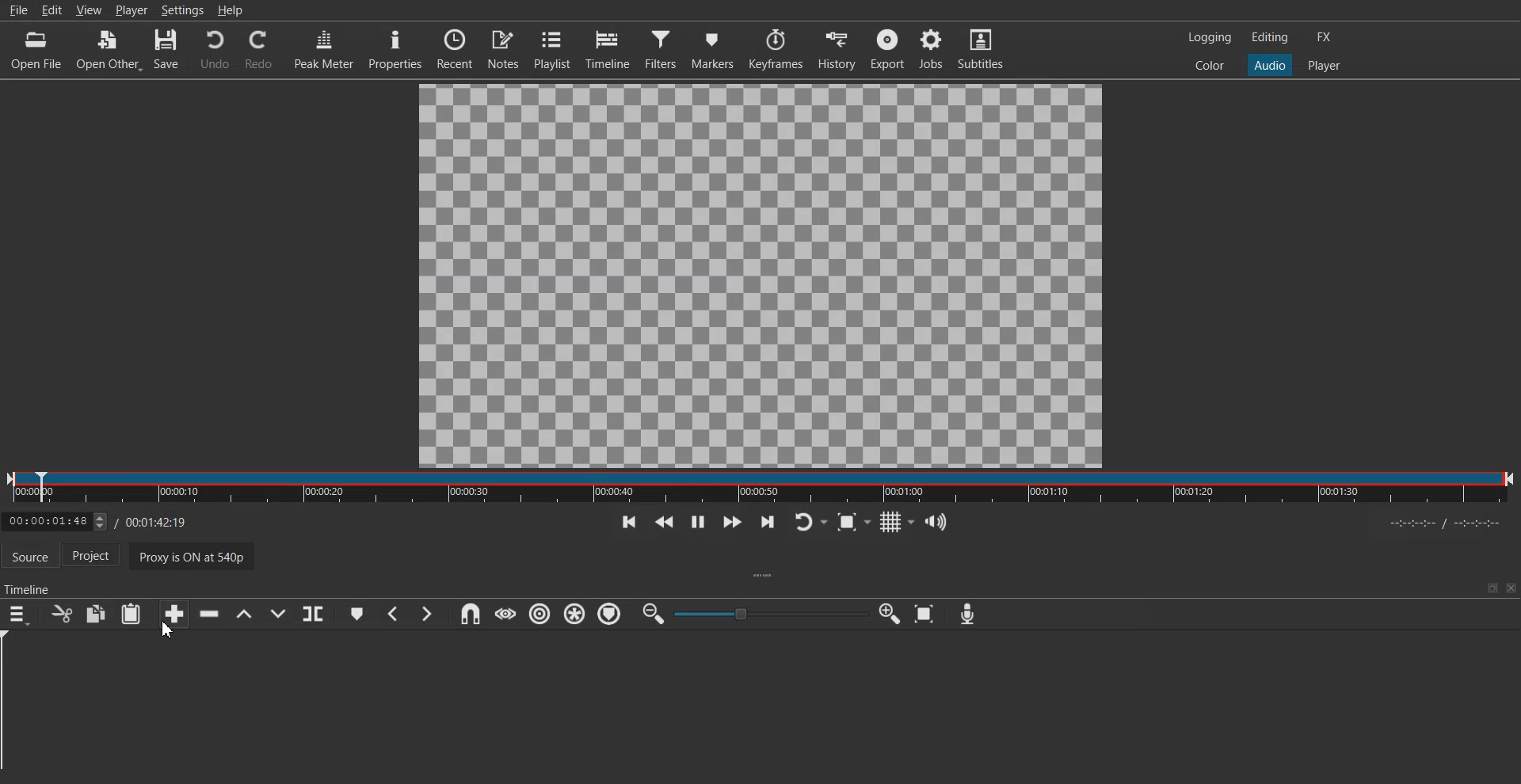  Describe the element at coordinates (984, 49) in the screenshot. I see `Subtitles` at that location.